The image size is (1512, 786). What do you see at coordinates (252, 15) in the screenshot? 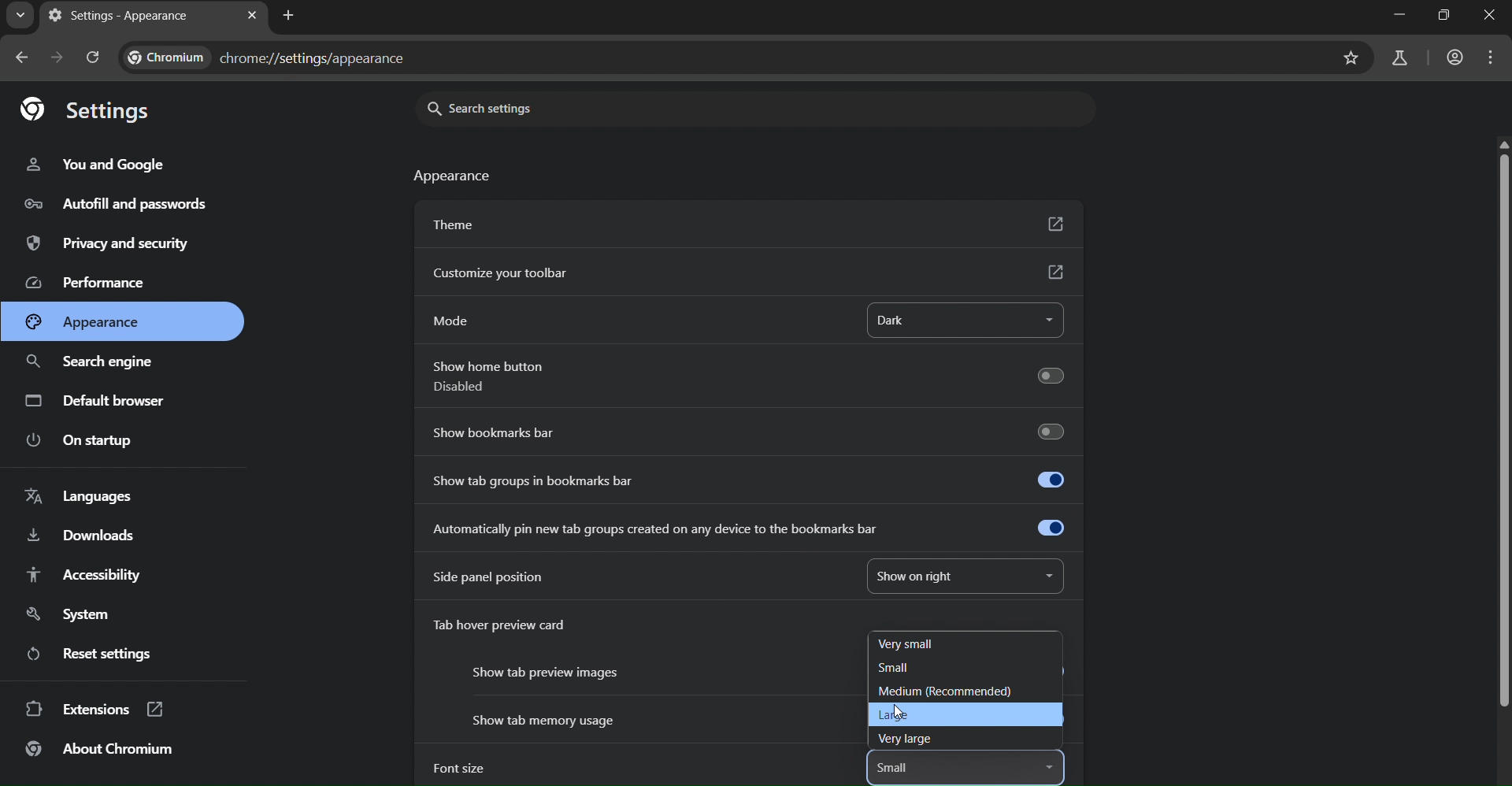
I see `close tab` at bounding box center [252, 15].